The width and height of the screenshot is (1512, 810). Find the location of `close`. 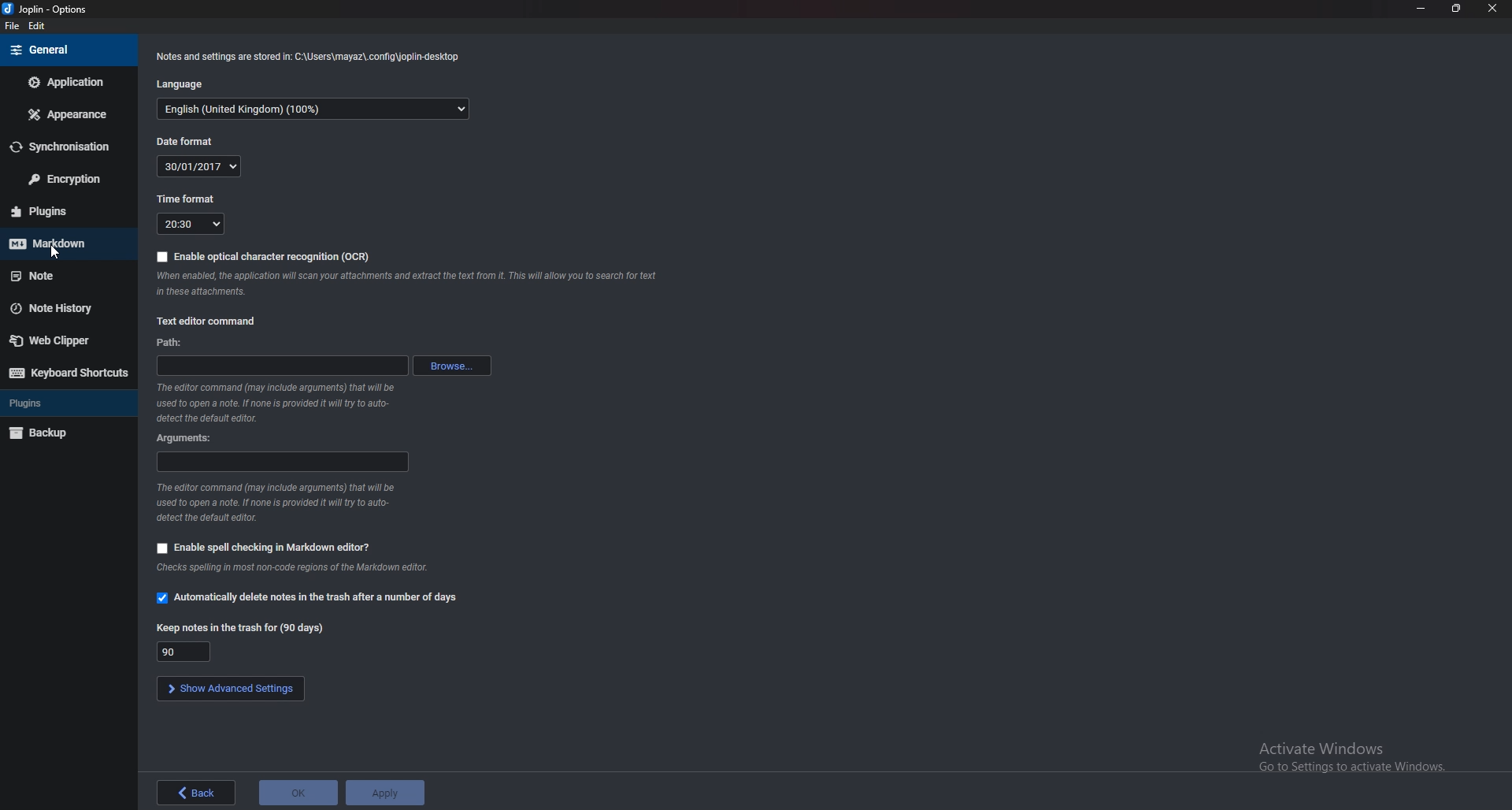

close is located at coordinates (1492, 9).